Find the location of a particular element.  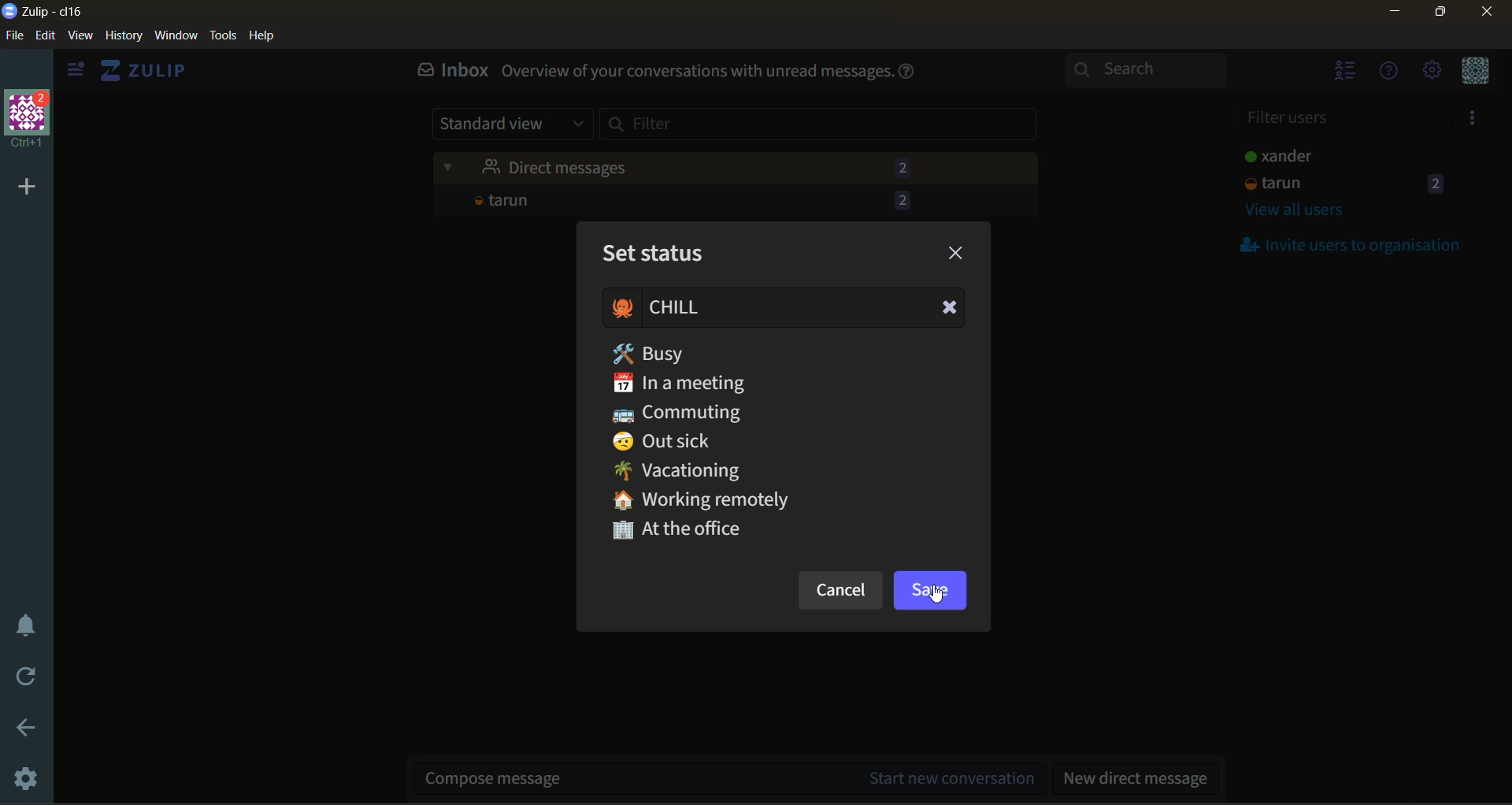

Commuting is located at coordinates (687, 410).